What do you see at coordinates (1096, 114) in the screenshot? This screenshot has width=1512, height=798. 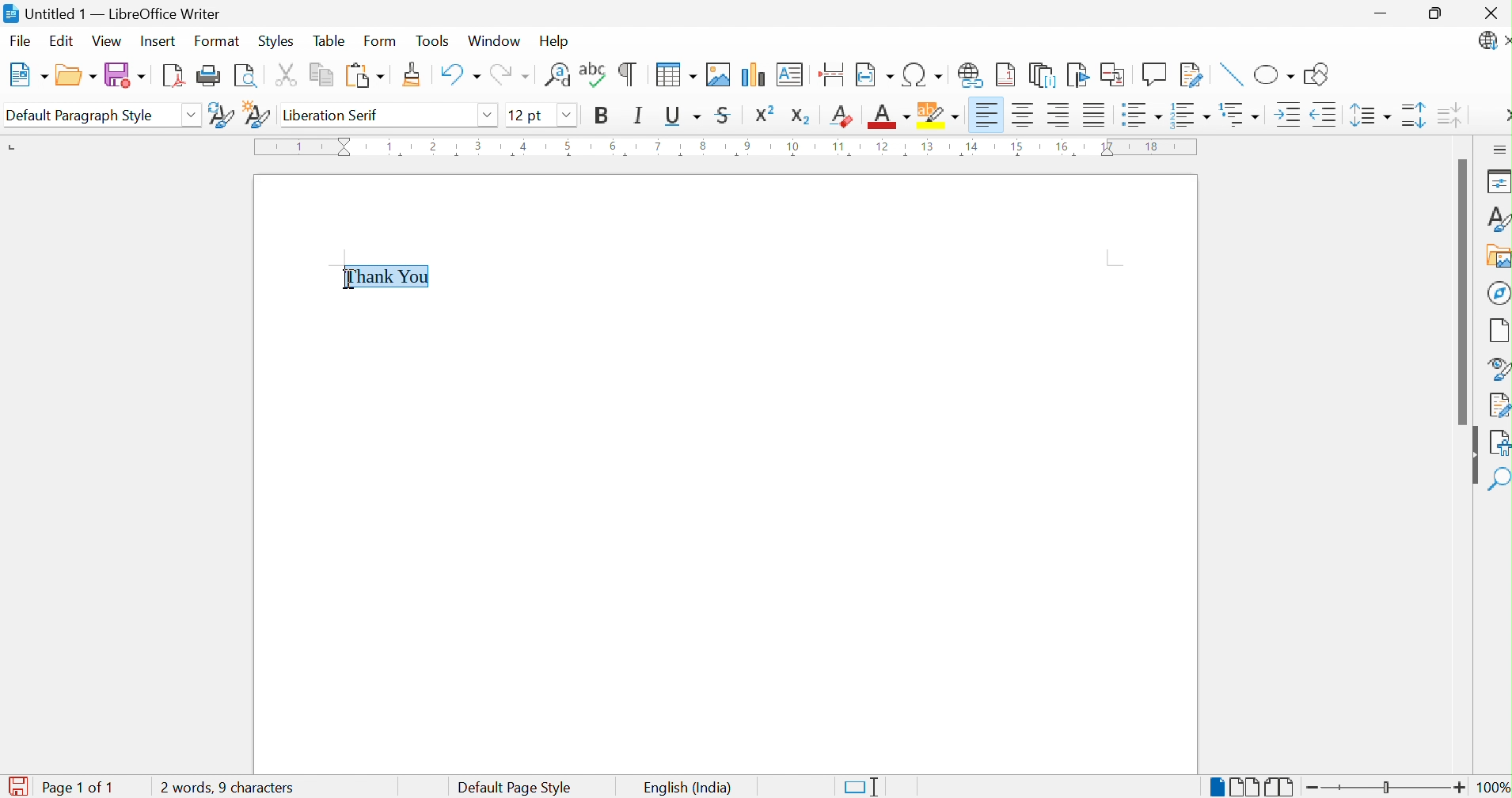 I see `Justified` at bounding box center [1096, 114].